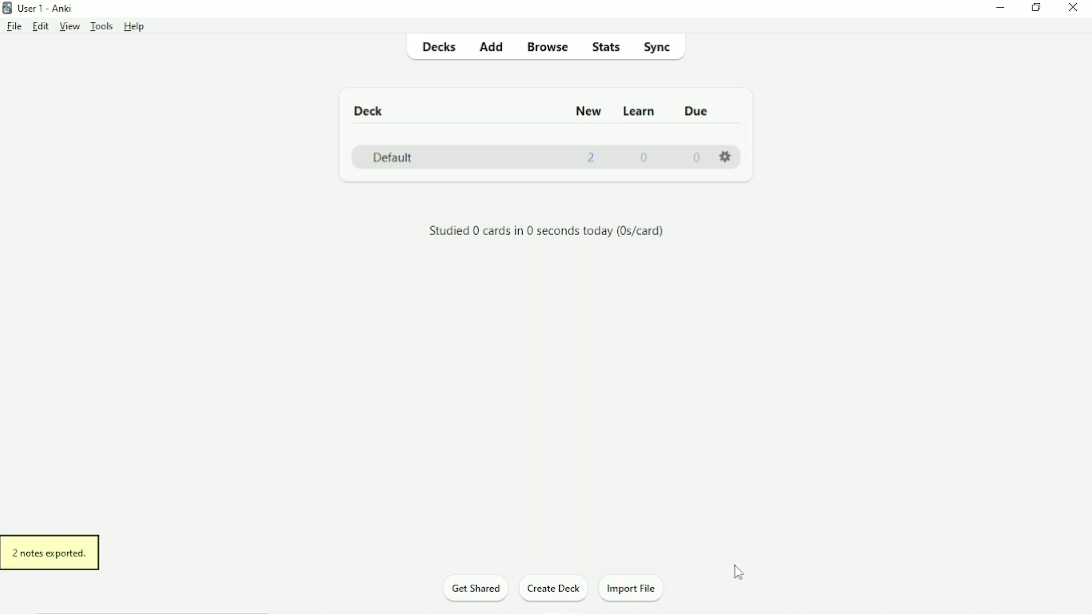 Image resolution: width=1092 pixels, height=614 pixels. I want to click on Close, so click(1072, 9).